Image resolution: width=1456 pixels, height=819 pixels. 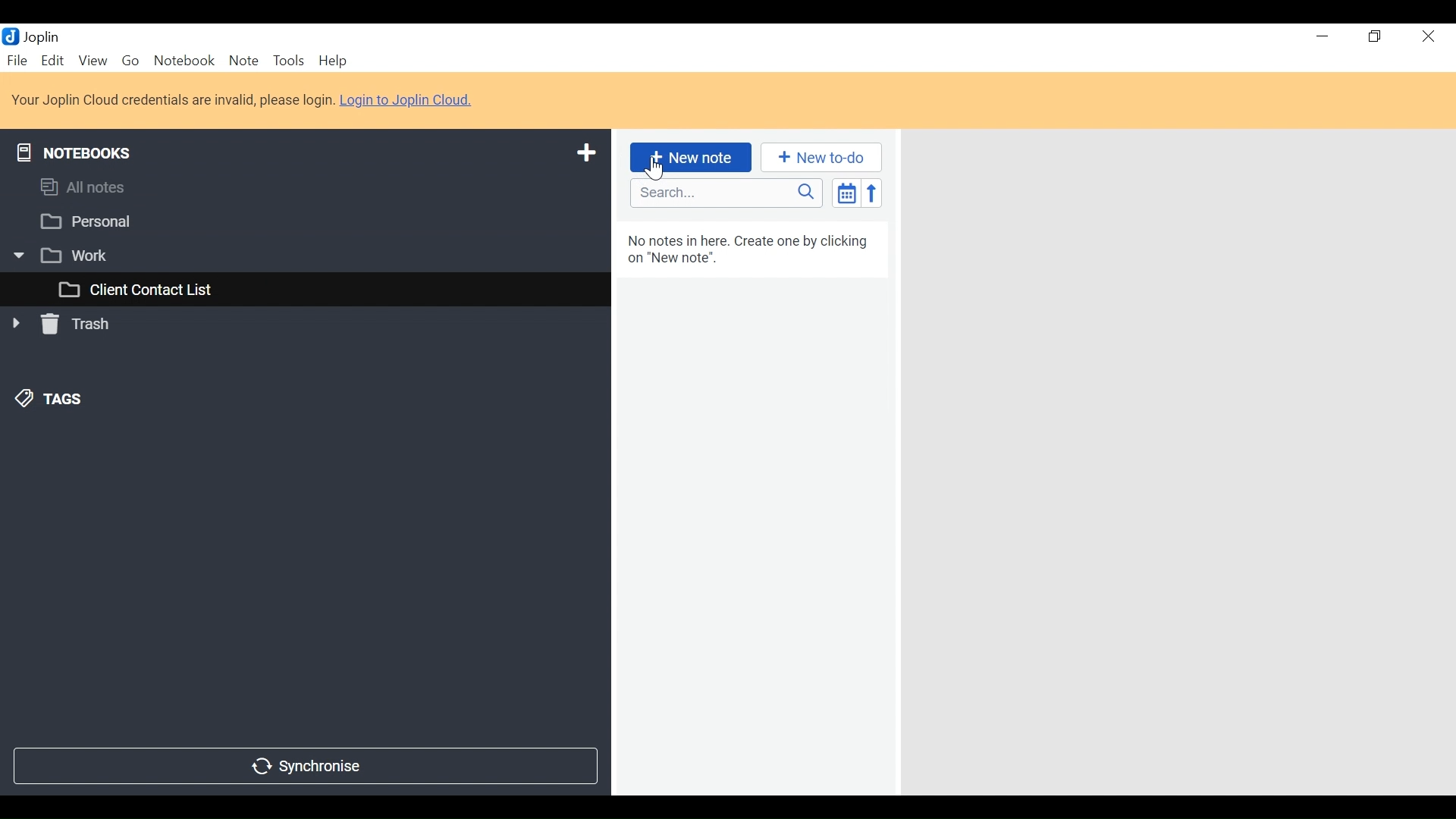 What do you see at coordinates (690, 158) in the screenshot?
I see `Add New Note` at bounding box center [690, 158].